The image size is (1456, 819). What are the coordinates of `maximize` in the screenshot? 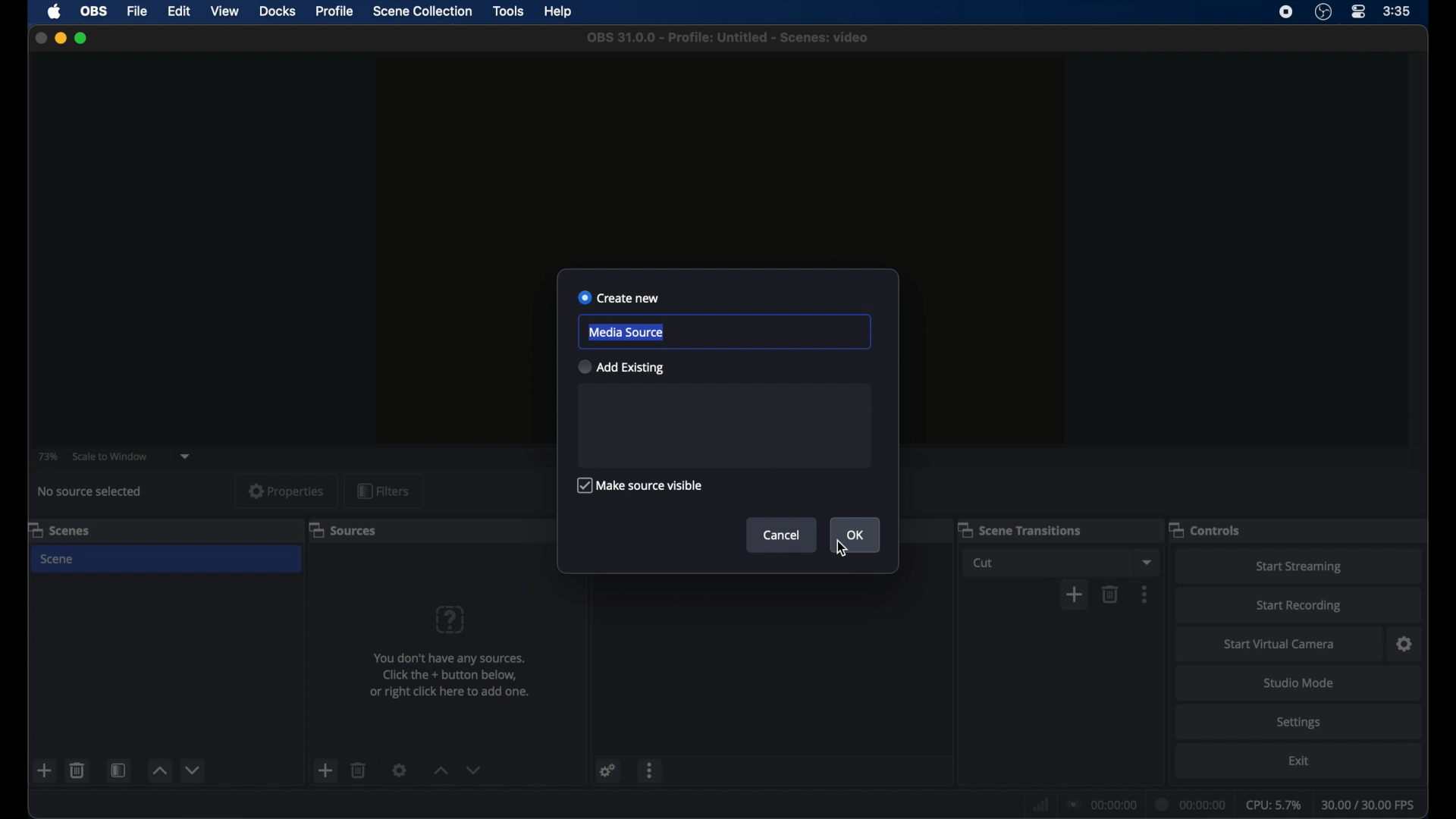 It's located at (82, 39).